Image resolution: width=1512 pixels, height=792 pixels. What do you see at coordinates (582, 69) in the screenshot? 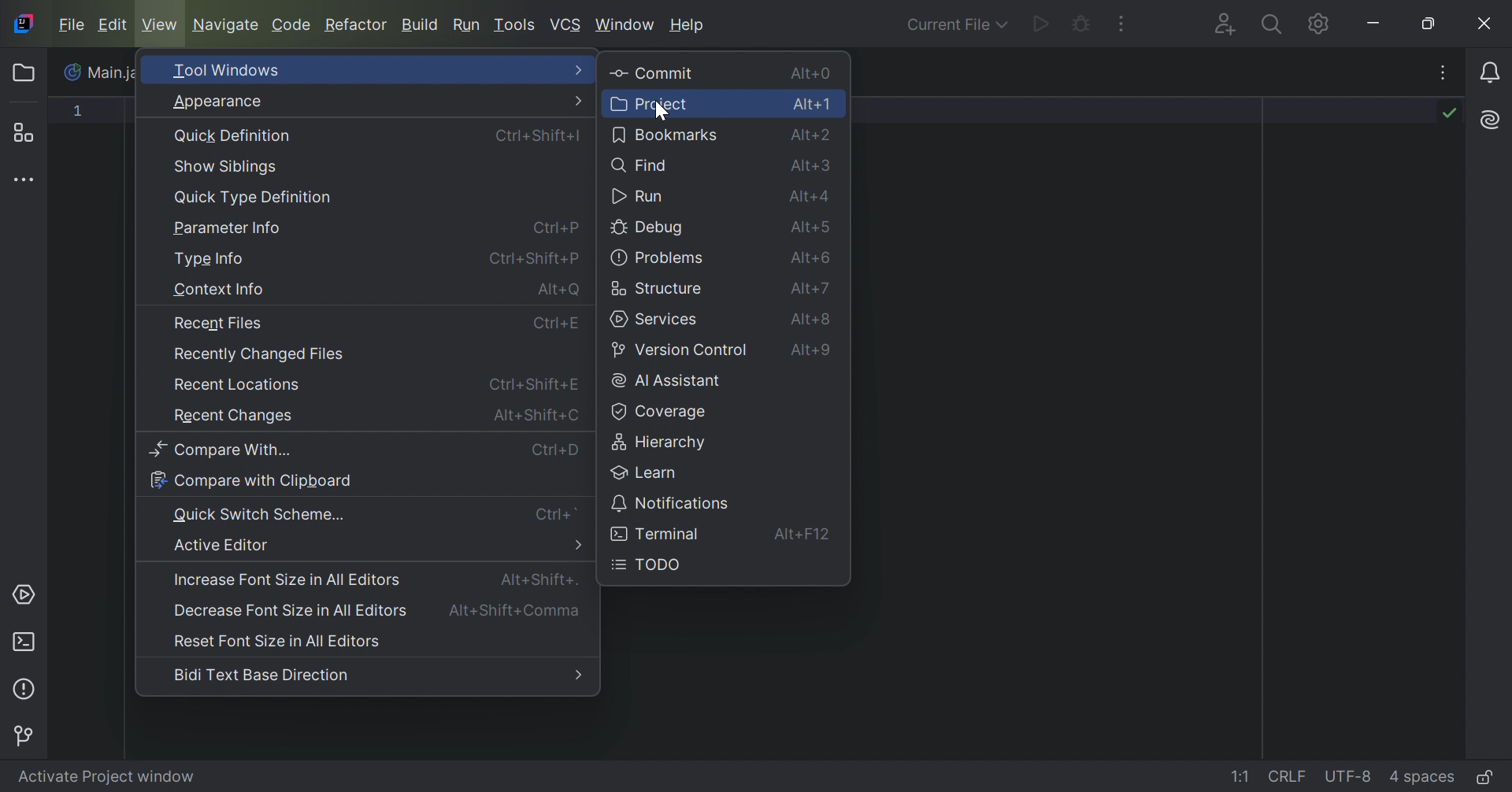
I see `More` at bounding box center [582, 69].